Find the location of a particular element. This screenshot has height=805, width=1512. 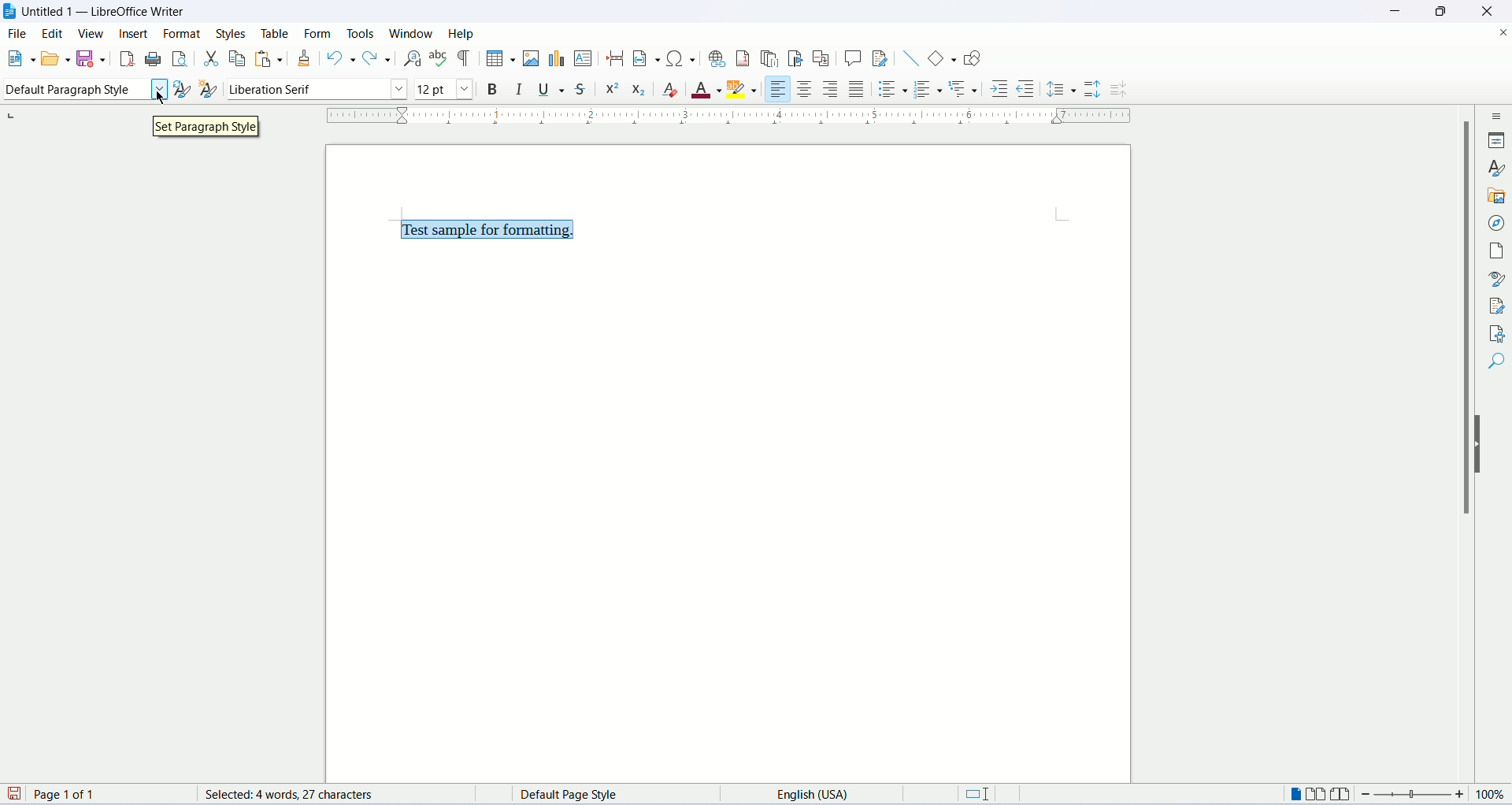

Untitled 1 -- LibreOffice Writer is located at coordinates (106, 13).